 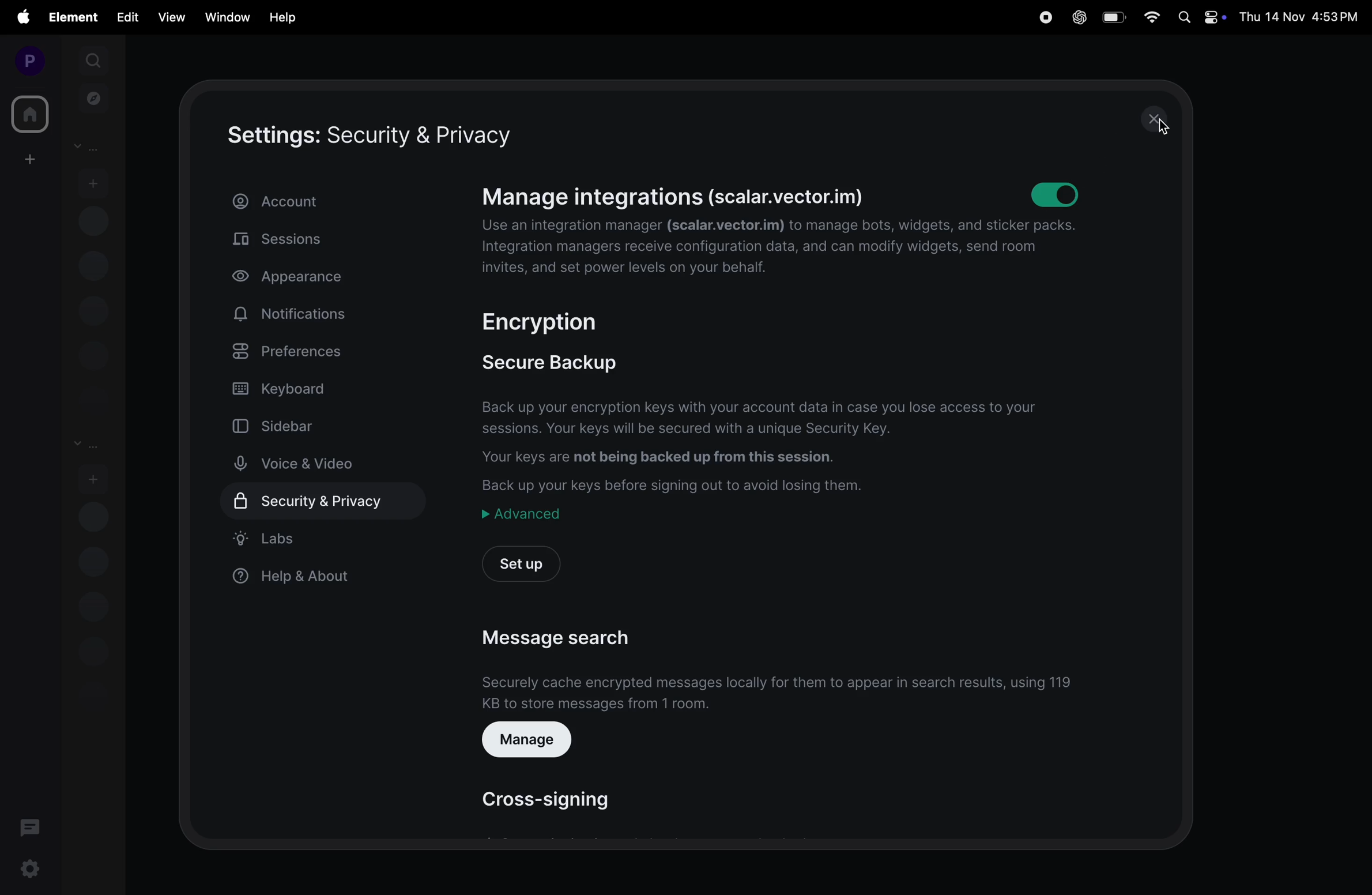 What do you see at coordinates (96, 479) in the screenshot?
I see `add room` at bounding box center [96, 479].